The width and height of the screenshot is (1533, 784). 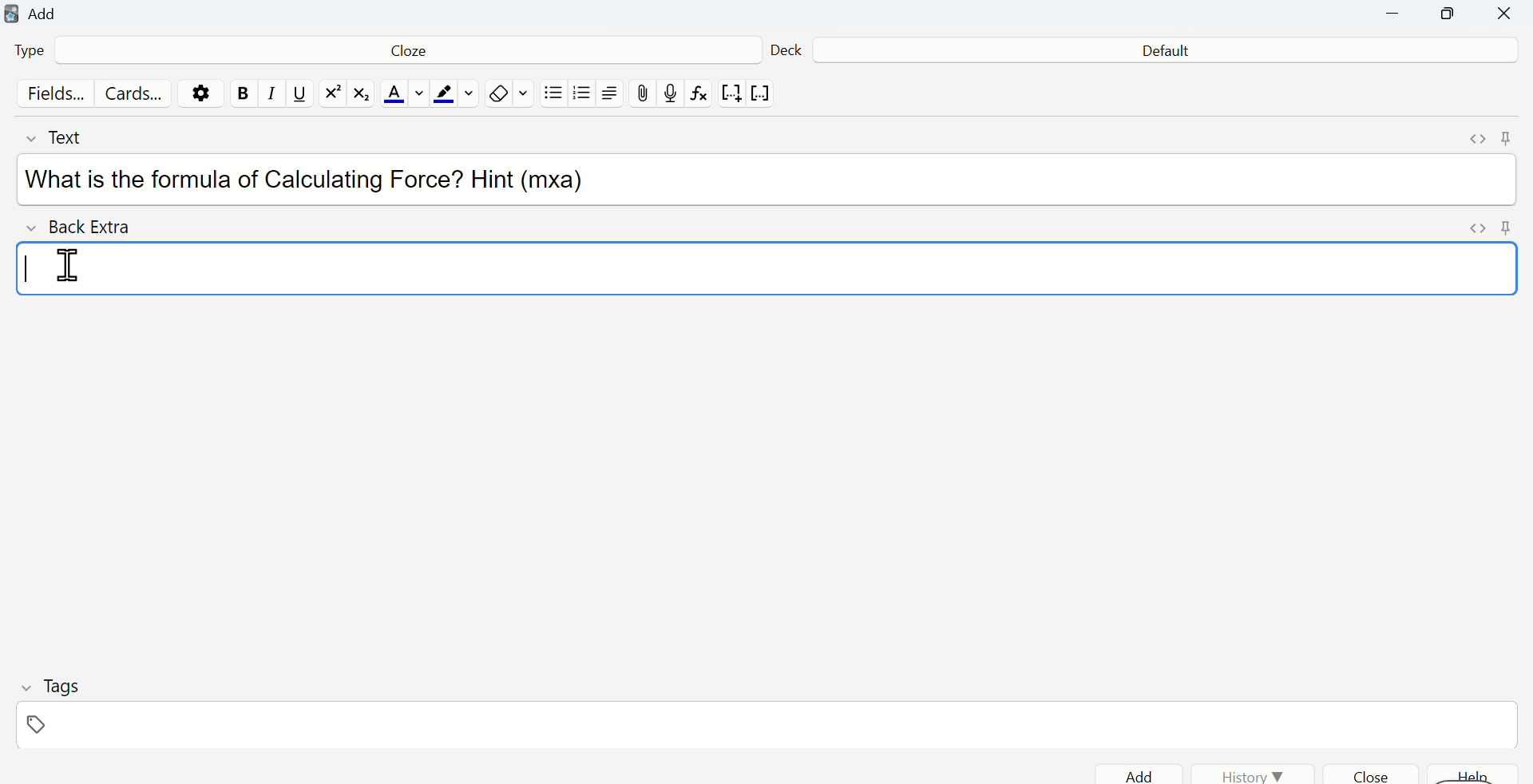 What do you see at coordinates (671, 94) in the screenshot?
I see `record` at bounding box center [671, 94].